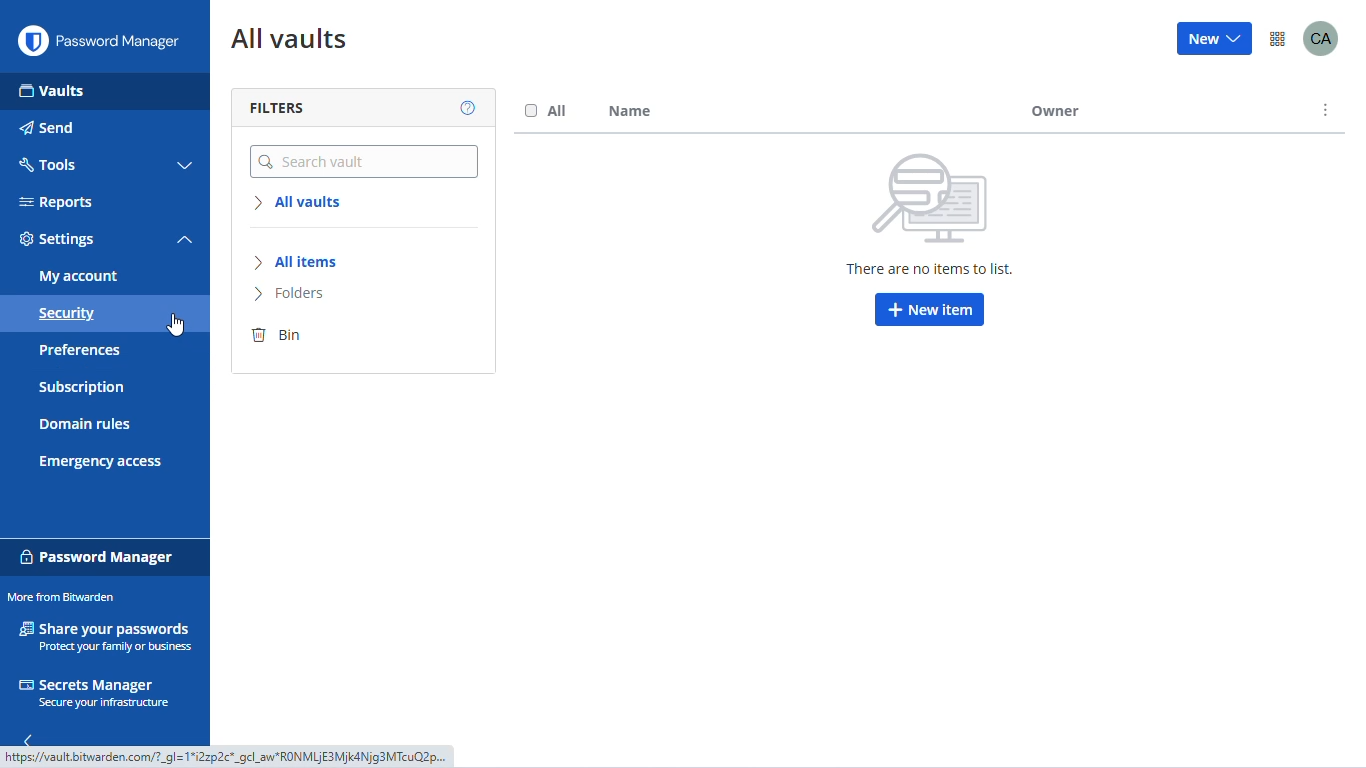 Image resolution: width=1366 pixels, height=768 pixels. What do you see at coordinates (108, 636) in the screenshot?
I see `share your passwords` at bounding box center [108, 636].